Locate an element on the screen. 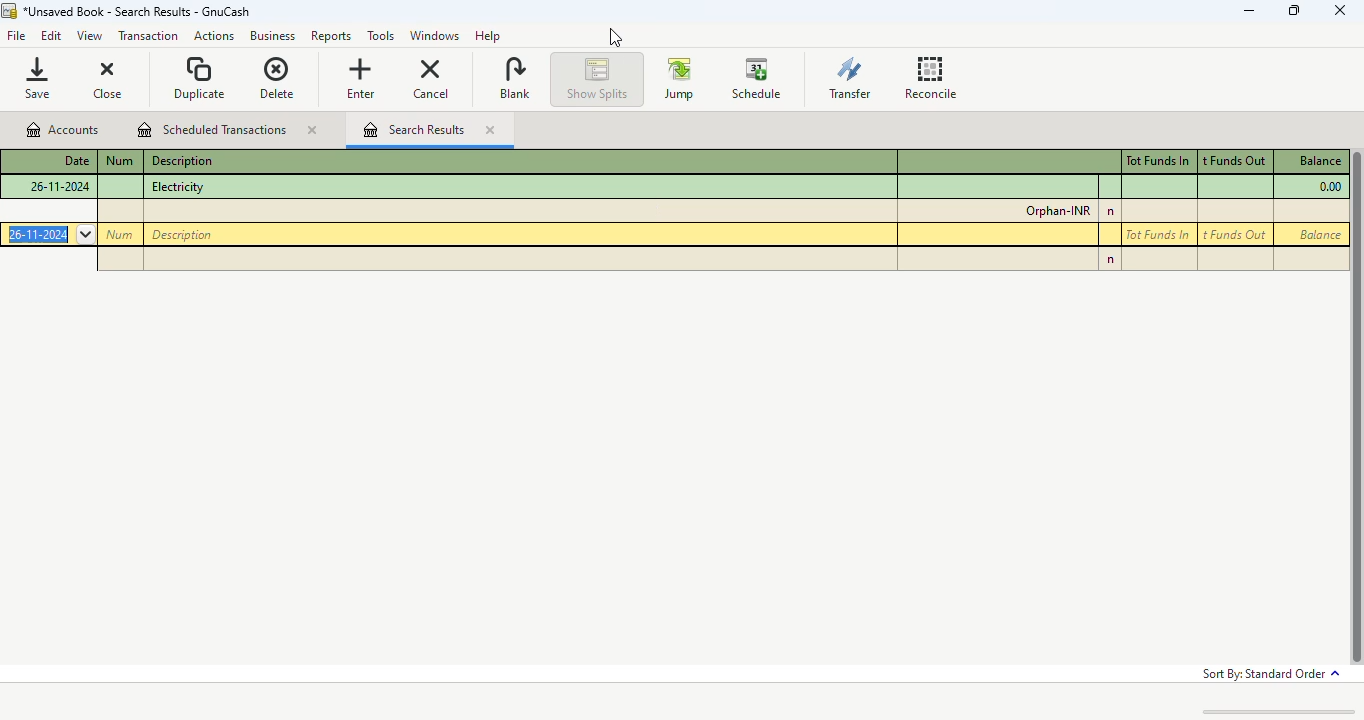 This screenshot has height=720, width=1364. tot funds in is located at coordinates (1158, 160).